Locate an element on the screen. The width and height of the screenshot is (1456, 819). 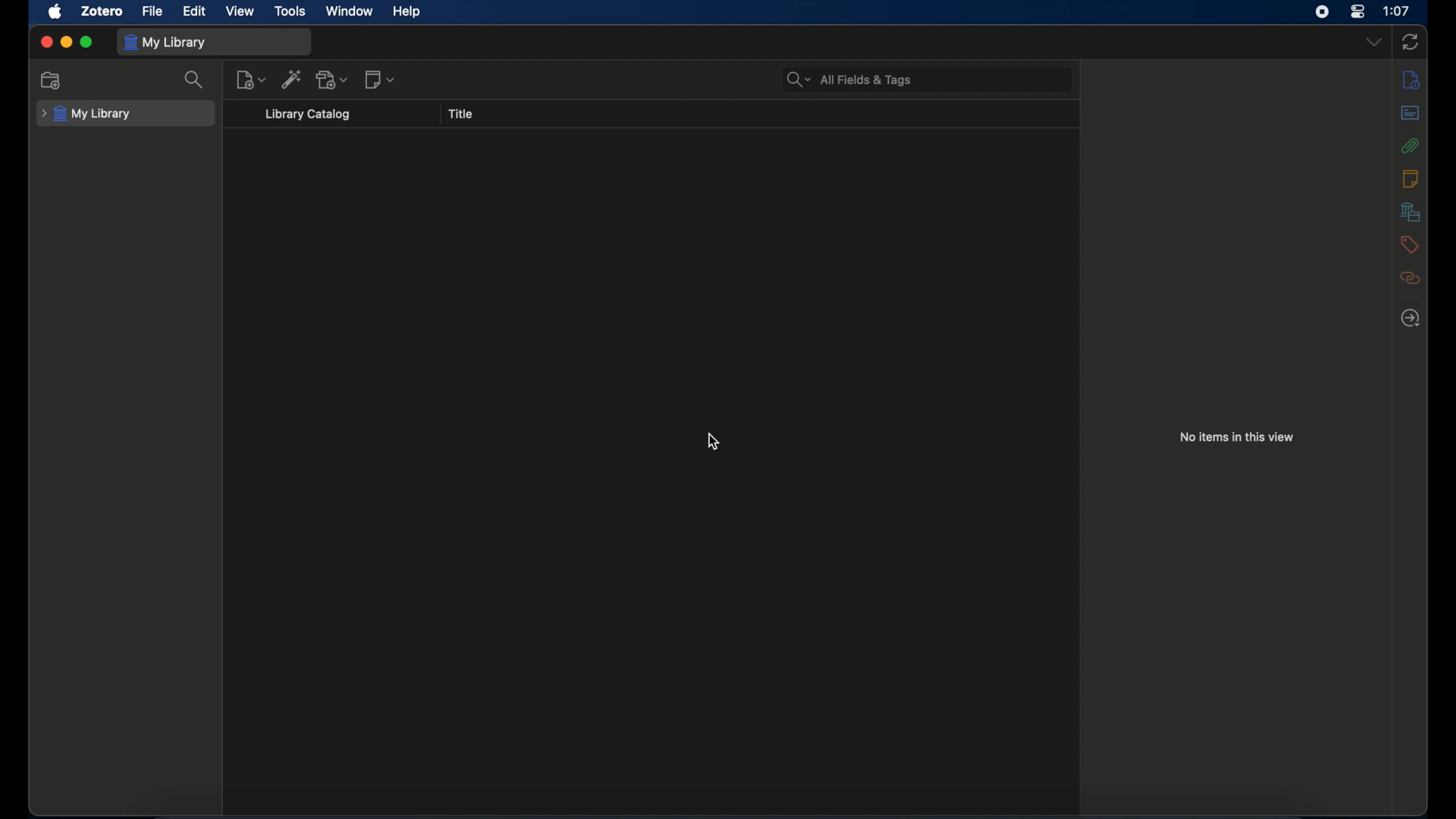
minimize is located at coordinates (65, 42).